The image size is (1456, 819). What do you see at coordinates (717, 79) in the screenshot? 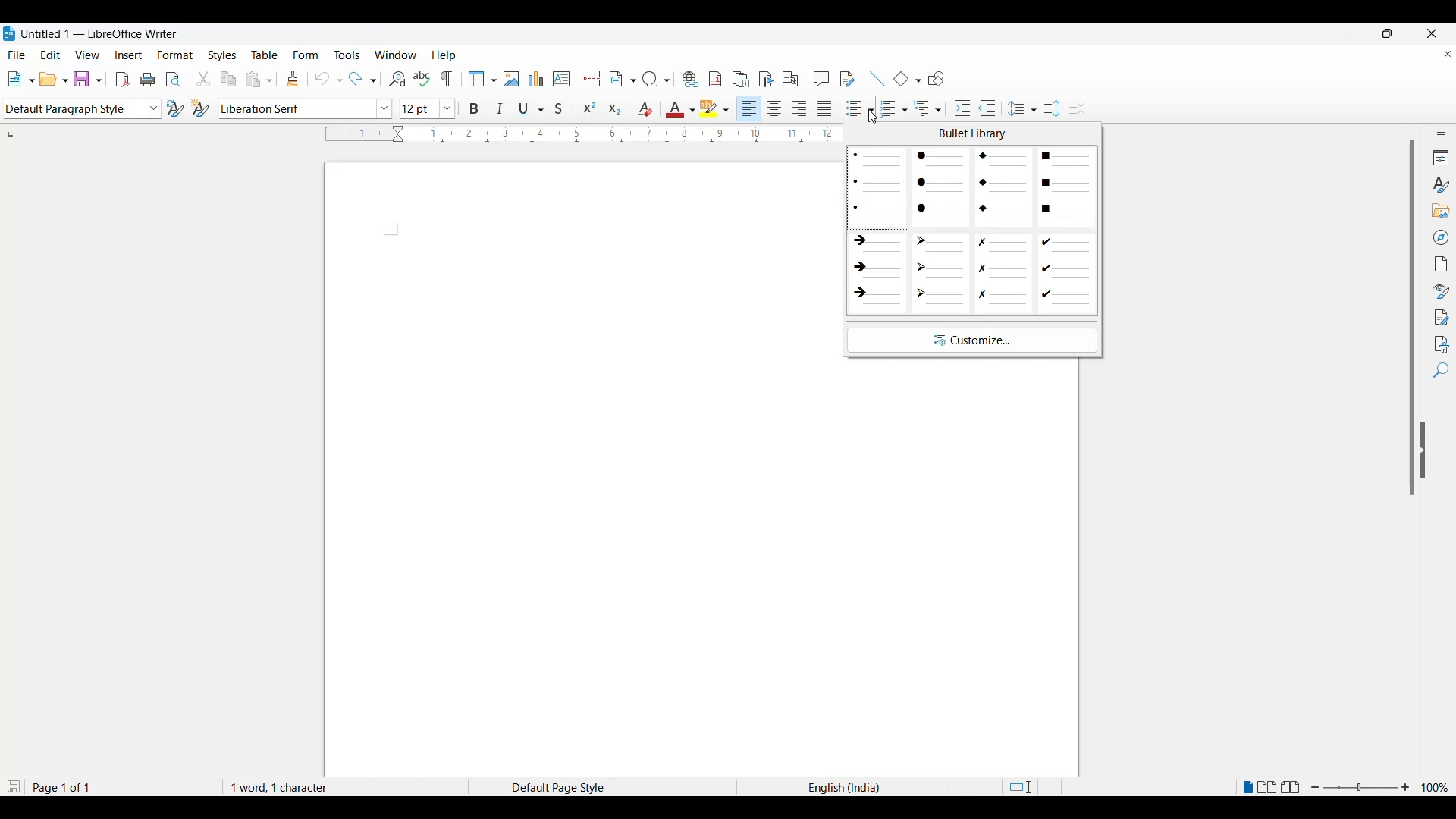
I see `insert footnote` at bounding box center [717, 79].